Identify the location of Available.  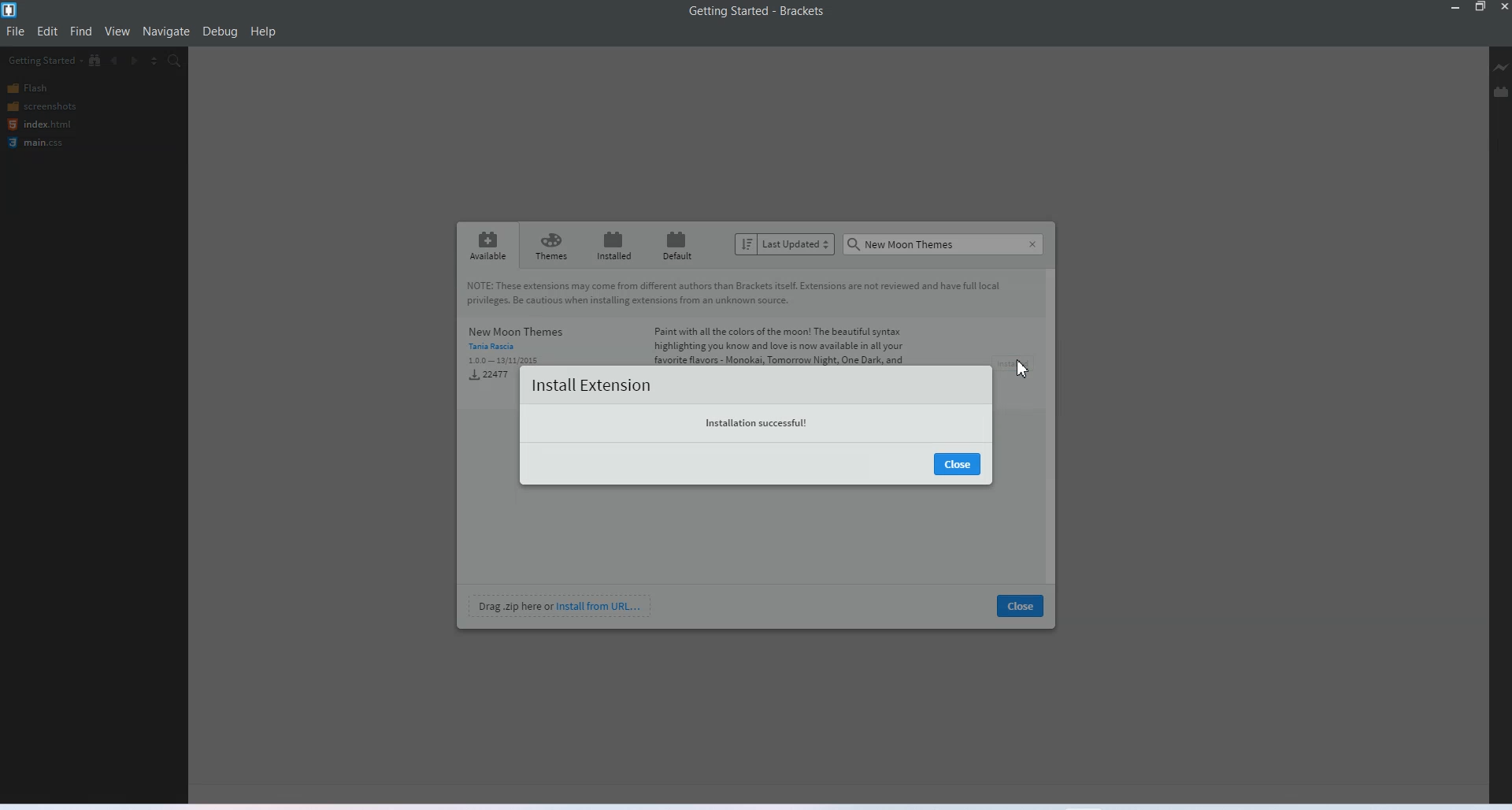
(487, 244).